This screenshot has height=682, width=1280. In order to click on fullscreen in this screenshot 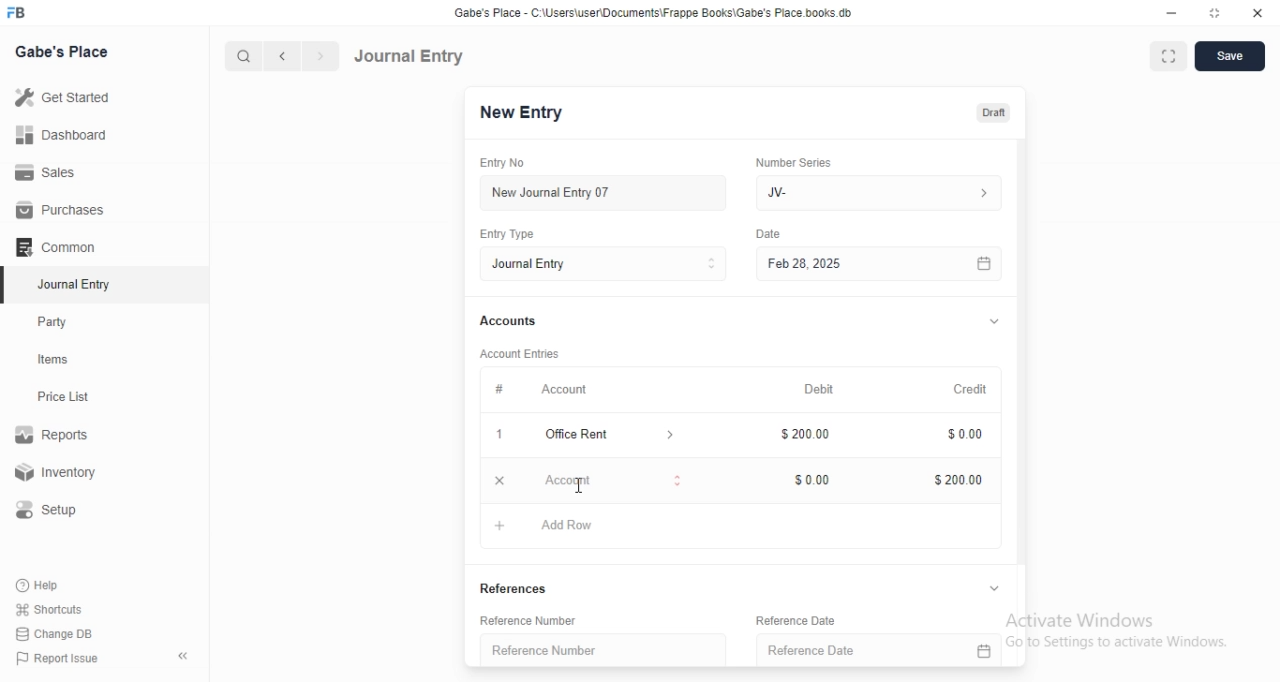, I will do `click(1169, 58)`.